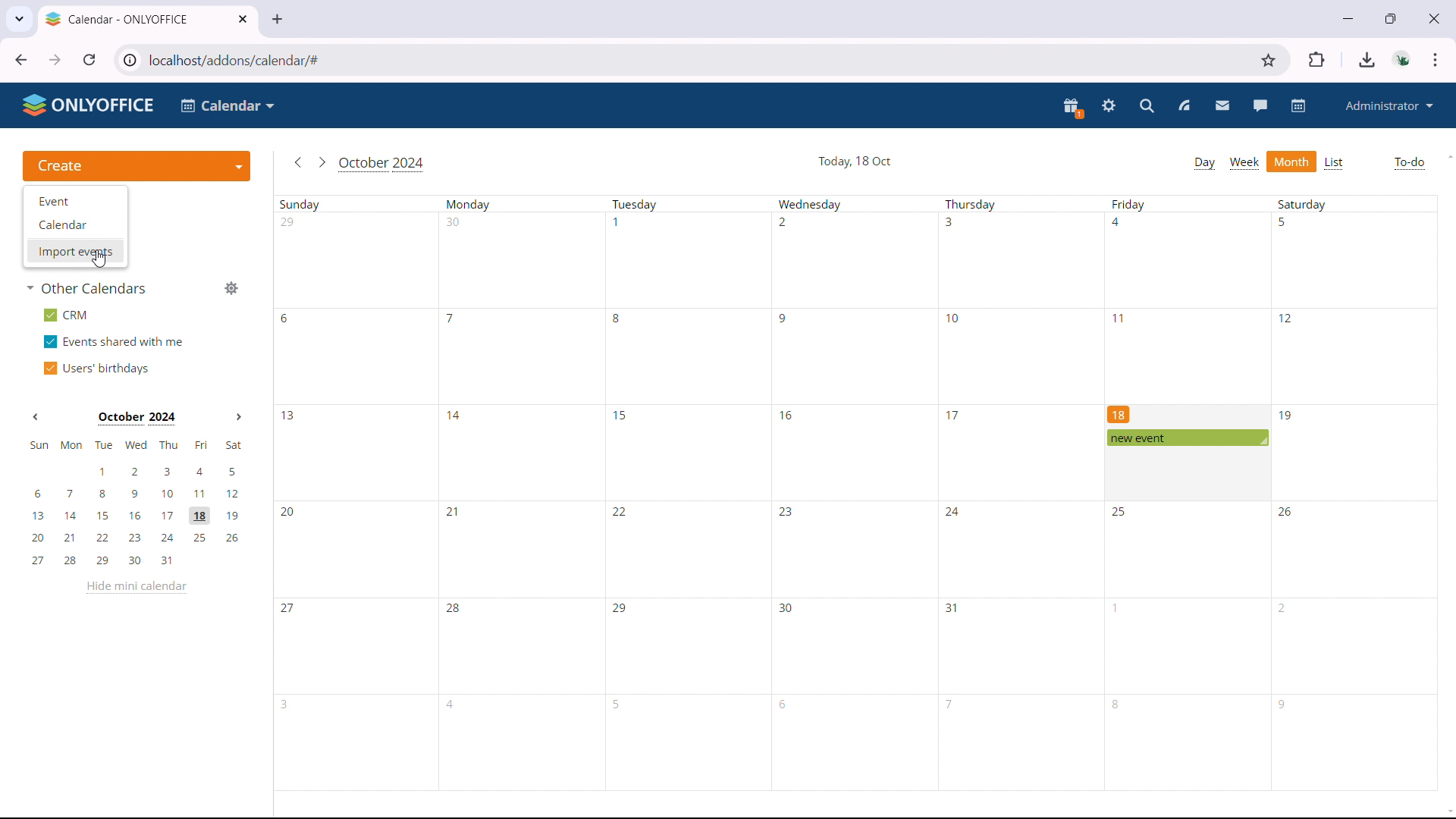 The width and height of the screenshot is (1456, 819). What do you see at coordinates (785, 319) in the screenshot?
I see `9` at bounding box center [785, 319].